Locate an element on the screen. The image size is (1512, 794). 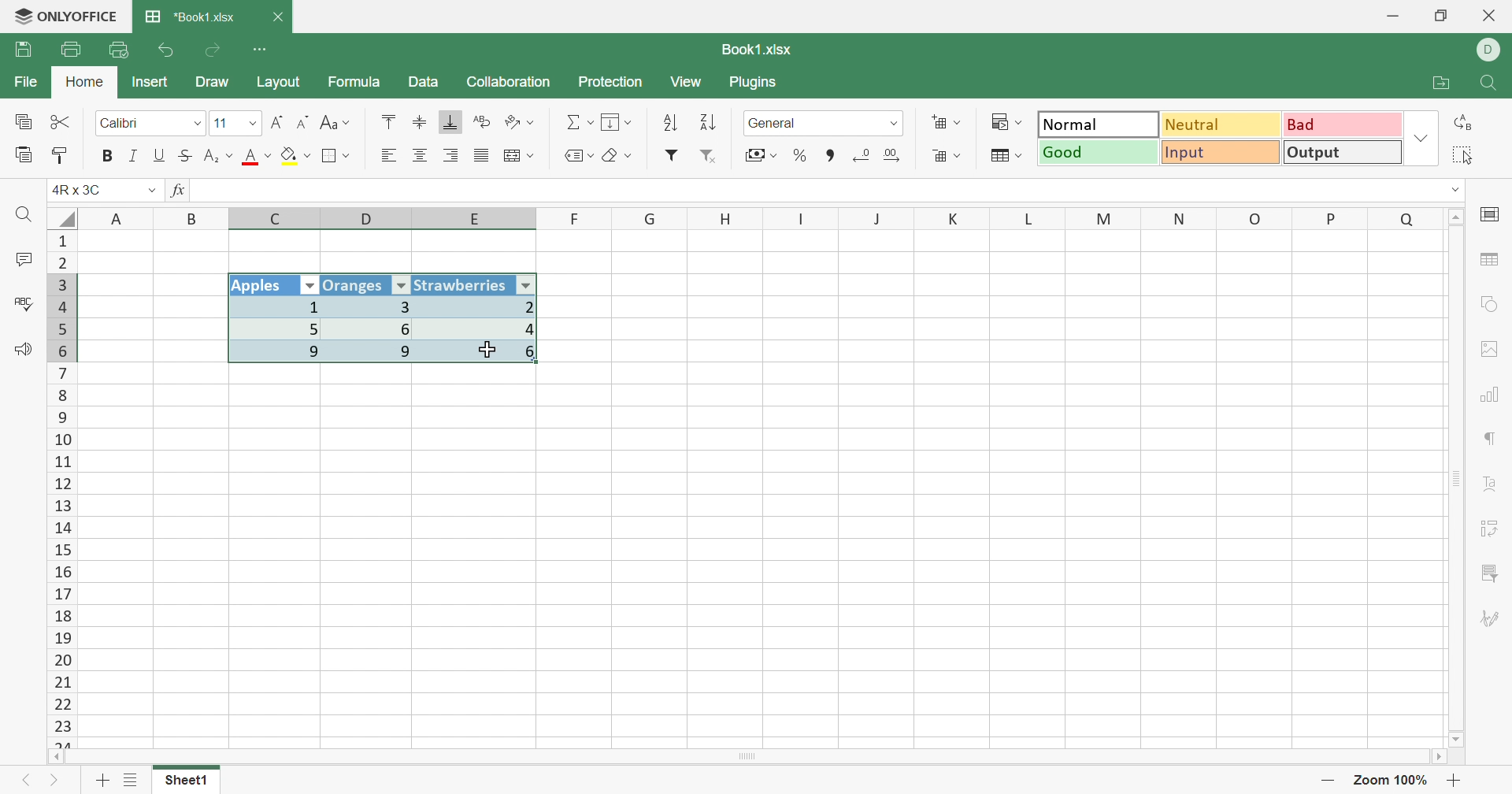
Font color is located at coordinates (259, 158).